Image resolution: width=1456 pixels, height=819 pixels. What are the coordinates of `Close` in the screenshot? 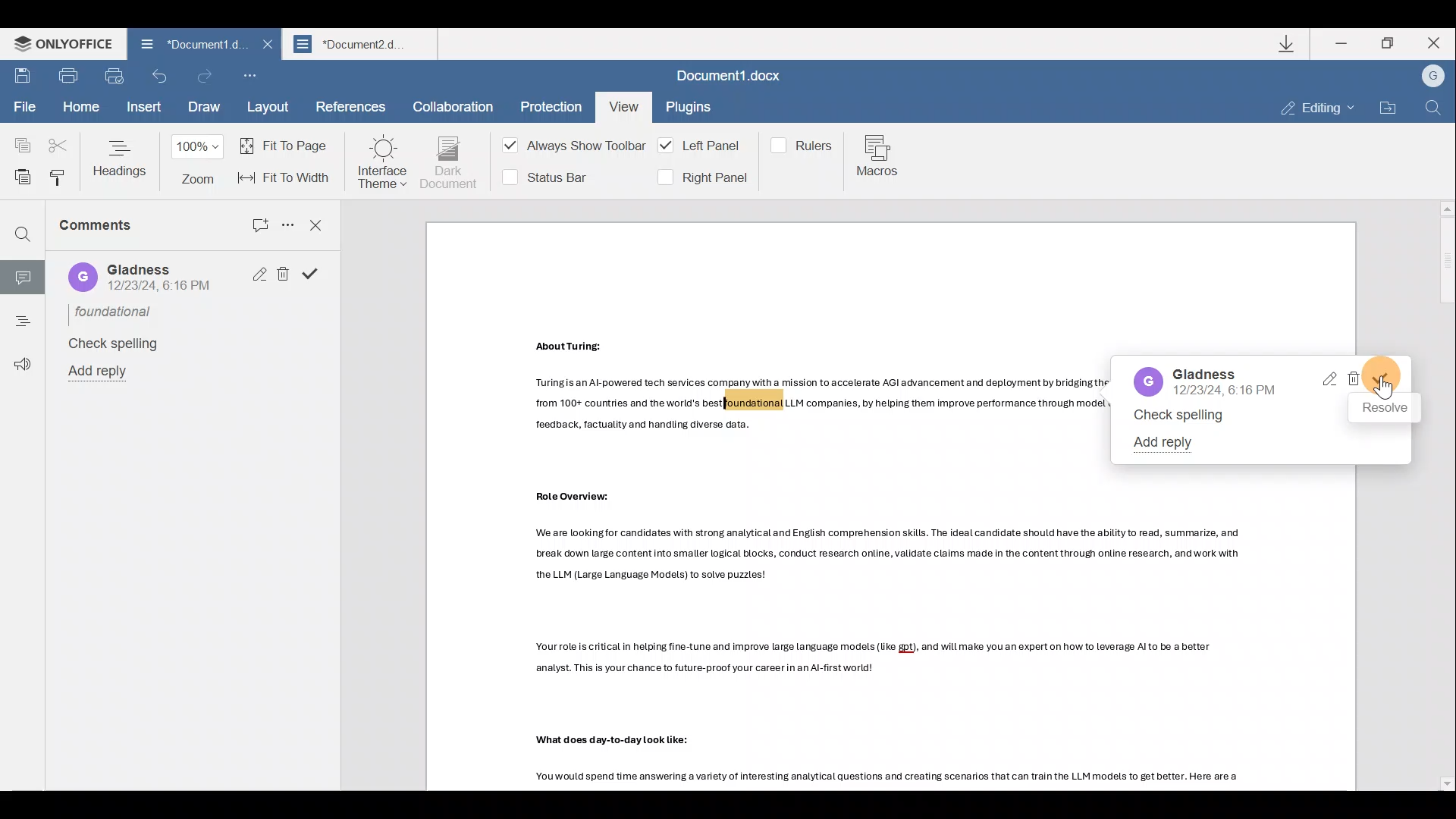 It's located at (1439, 45).